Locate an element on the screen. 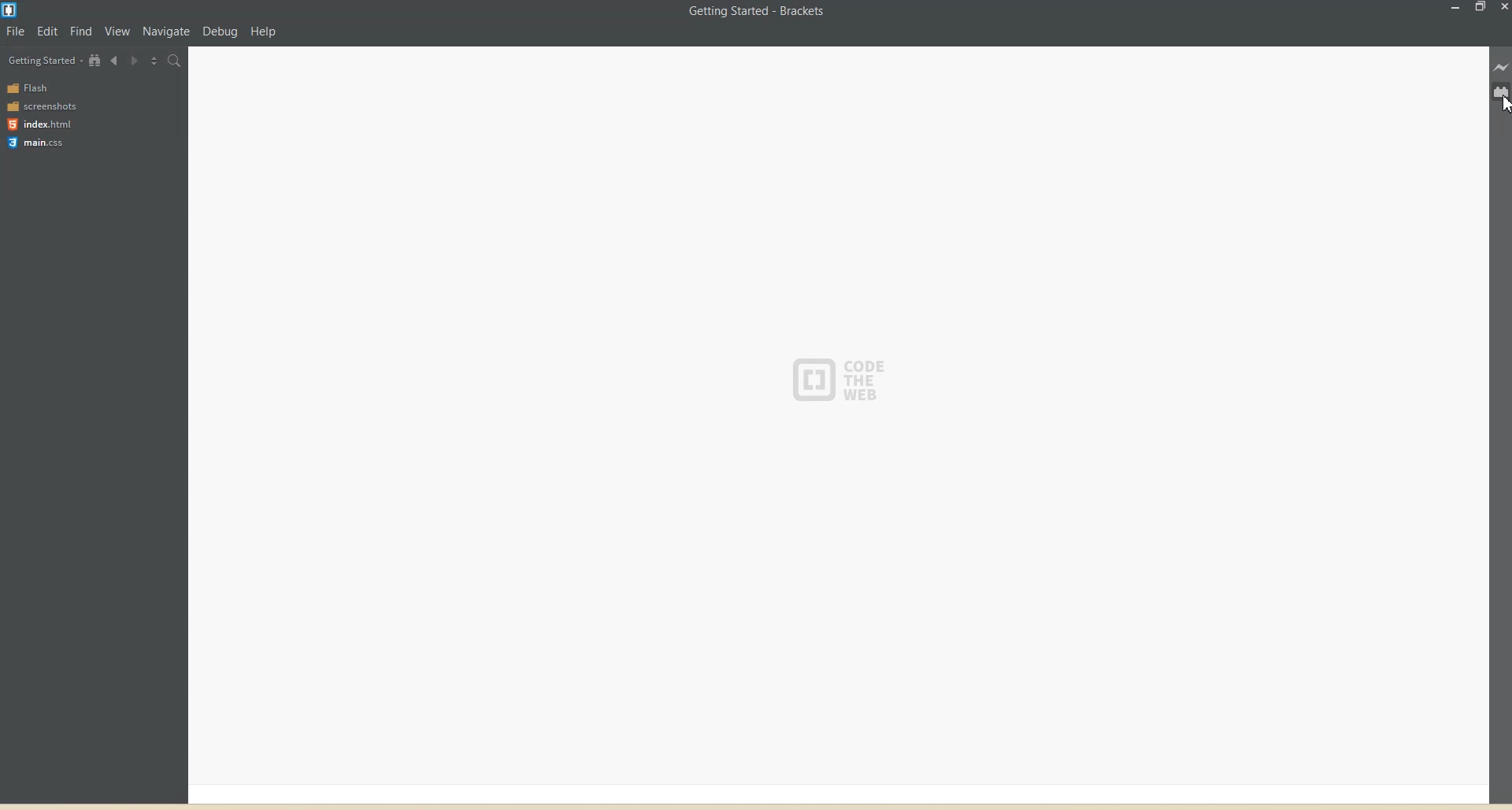 The height and width of the screenshot is (810, 1512). Flash is located at coordinates (31, 87).